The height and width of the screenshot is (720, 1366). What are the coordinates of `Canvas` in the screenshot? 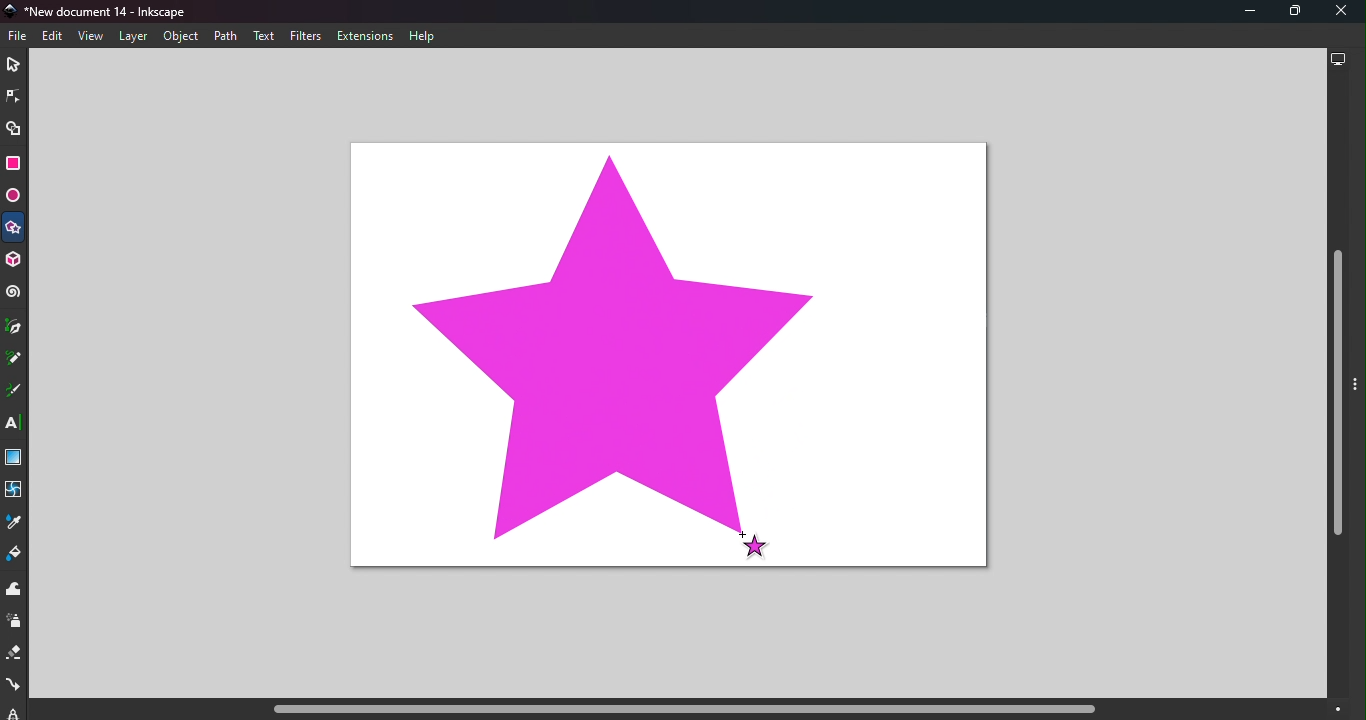 It's located at (662, 356).